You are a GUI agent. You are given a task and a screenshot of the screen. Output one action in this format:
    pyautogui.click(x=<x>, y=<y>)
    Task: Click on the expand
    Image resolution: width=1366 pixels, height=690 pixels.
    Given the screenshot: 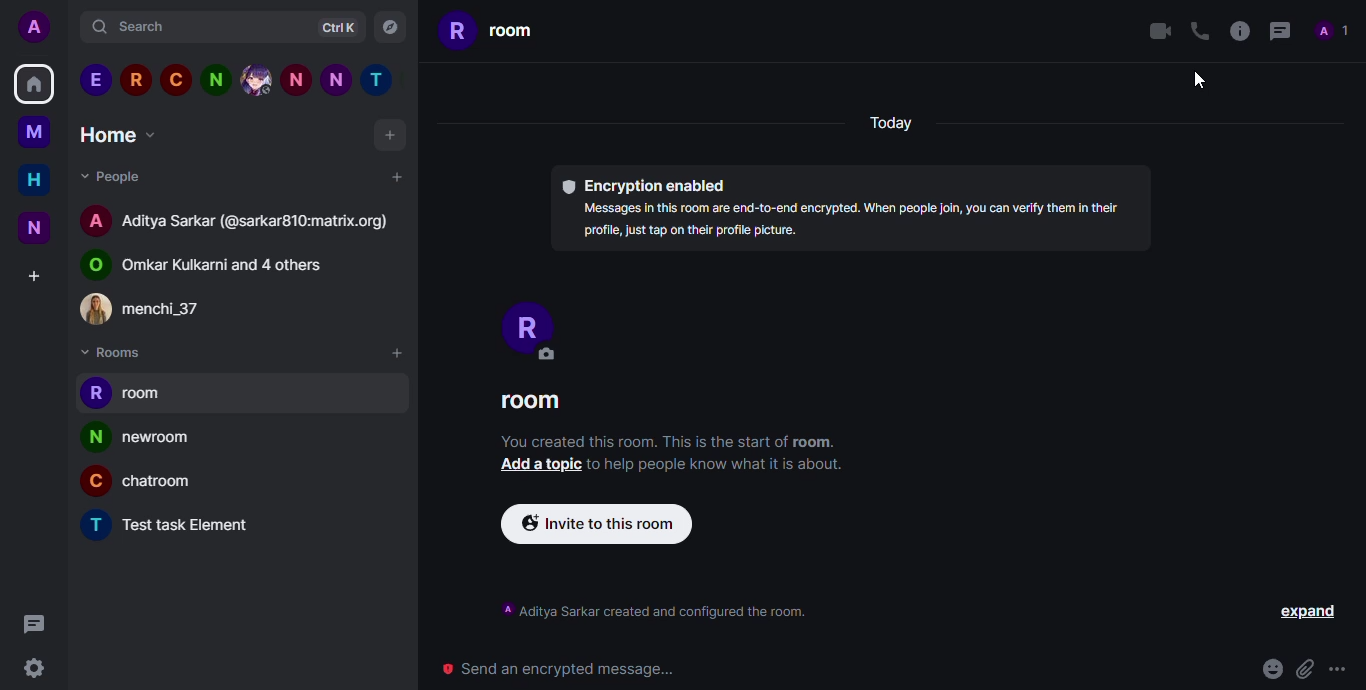 What is the action you would take?
    pyautogui.click(x=1313, y=611)
    